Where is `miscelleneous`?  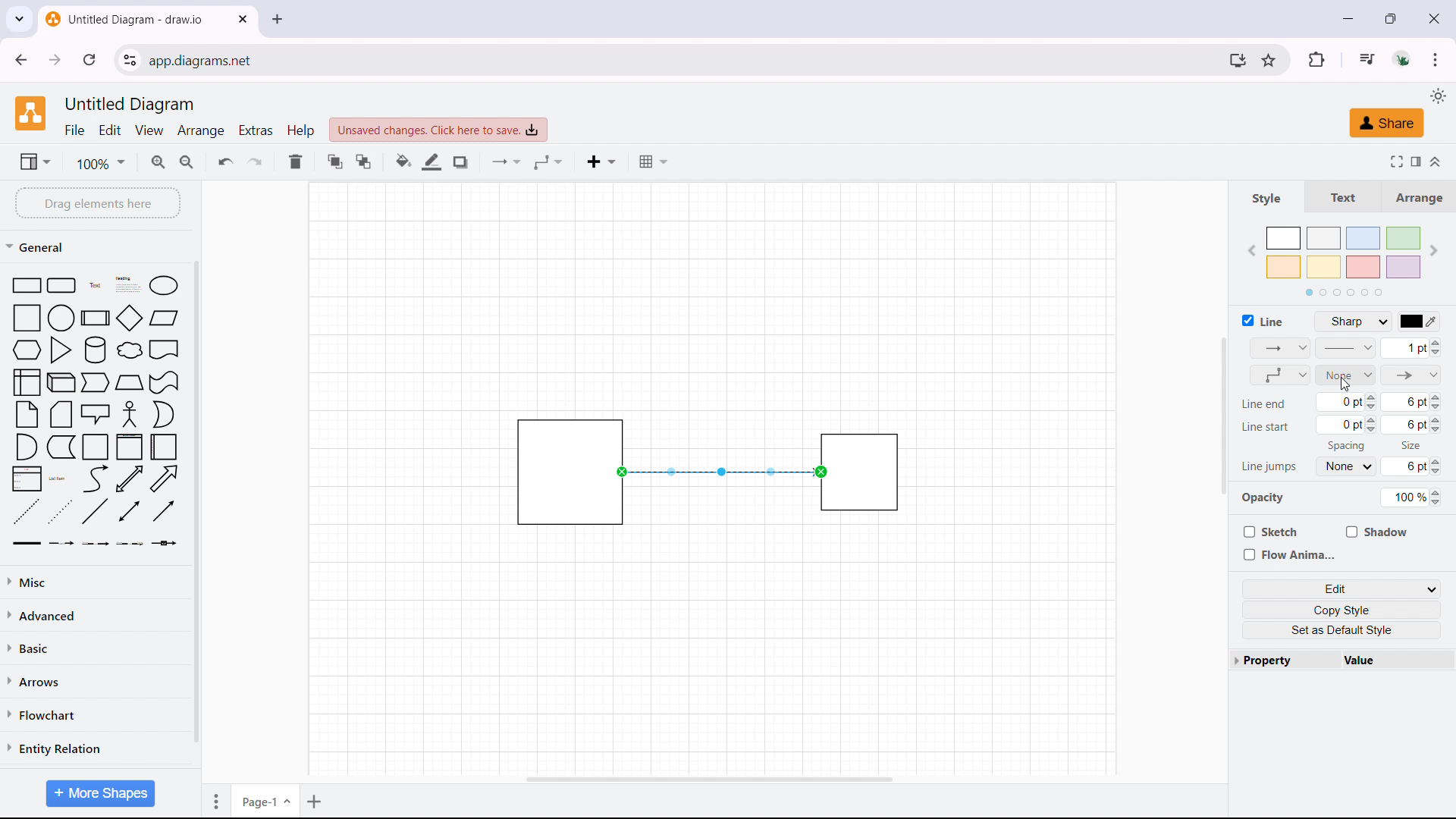
miscelleneous is located at coordinates (96, 581).